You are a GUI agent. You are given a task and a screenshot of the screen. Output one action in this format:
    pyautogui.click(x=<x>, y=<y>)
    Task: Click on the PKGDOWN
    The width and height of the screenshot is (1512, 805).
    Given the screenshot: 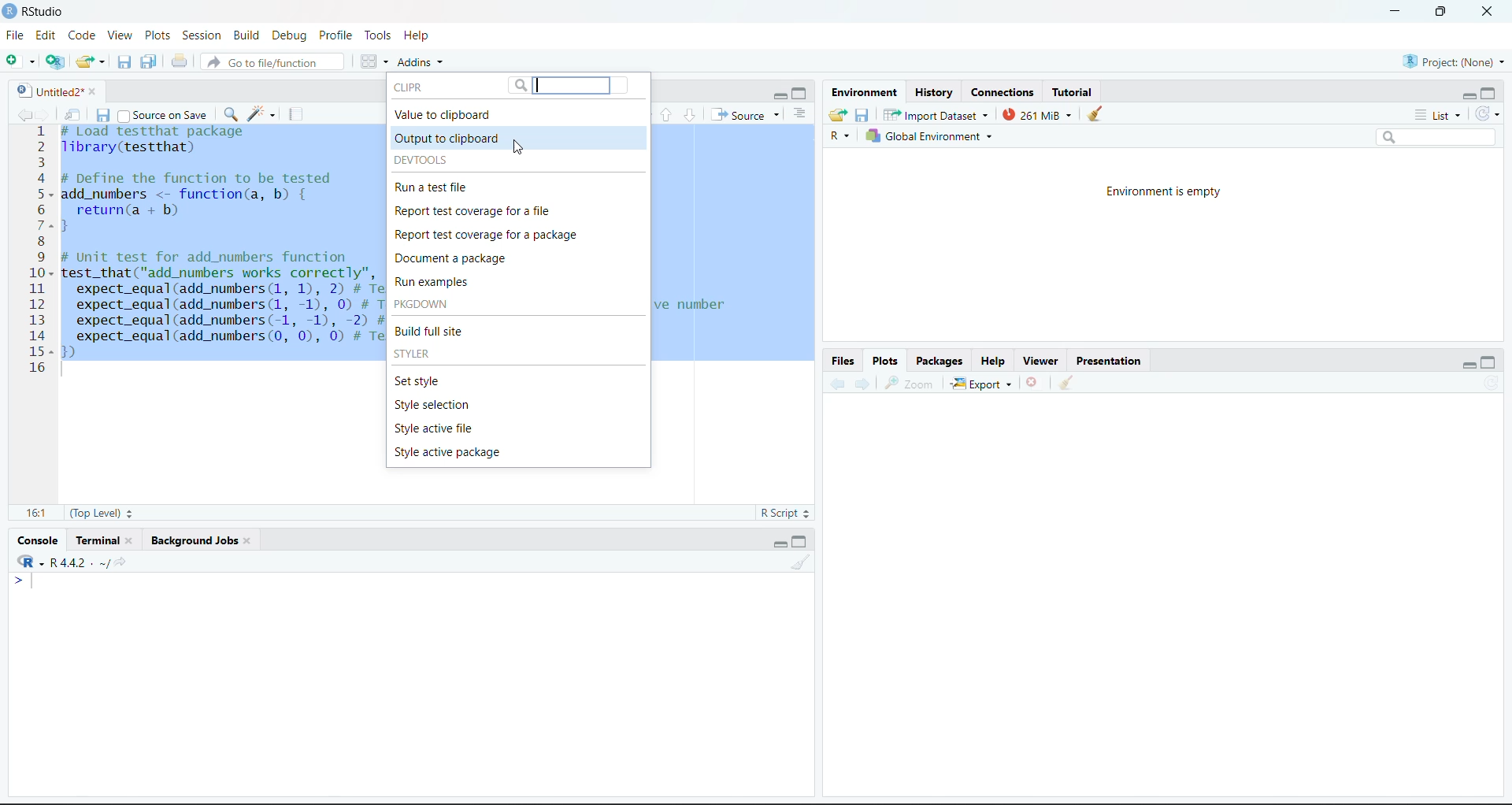 What is the action you would take?
    pyautogui.click(x=423, y=305)
    